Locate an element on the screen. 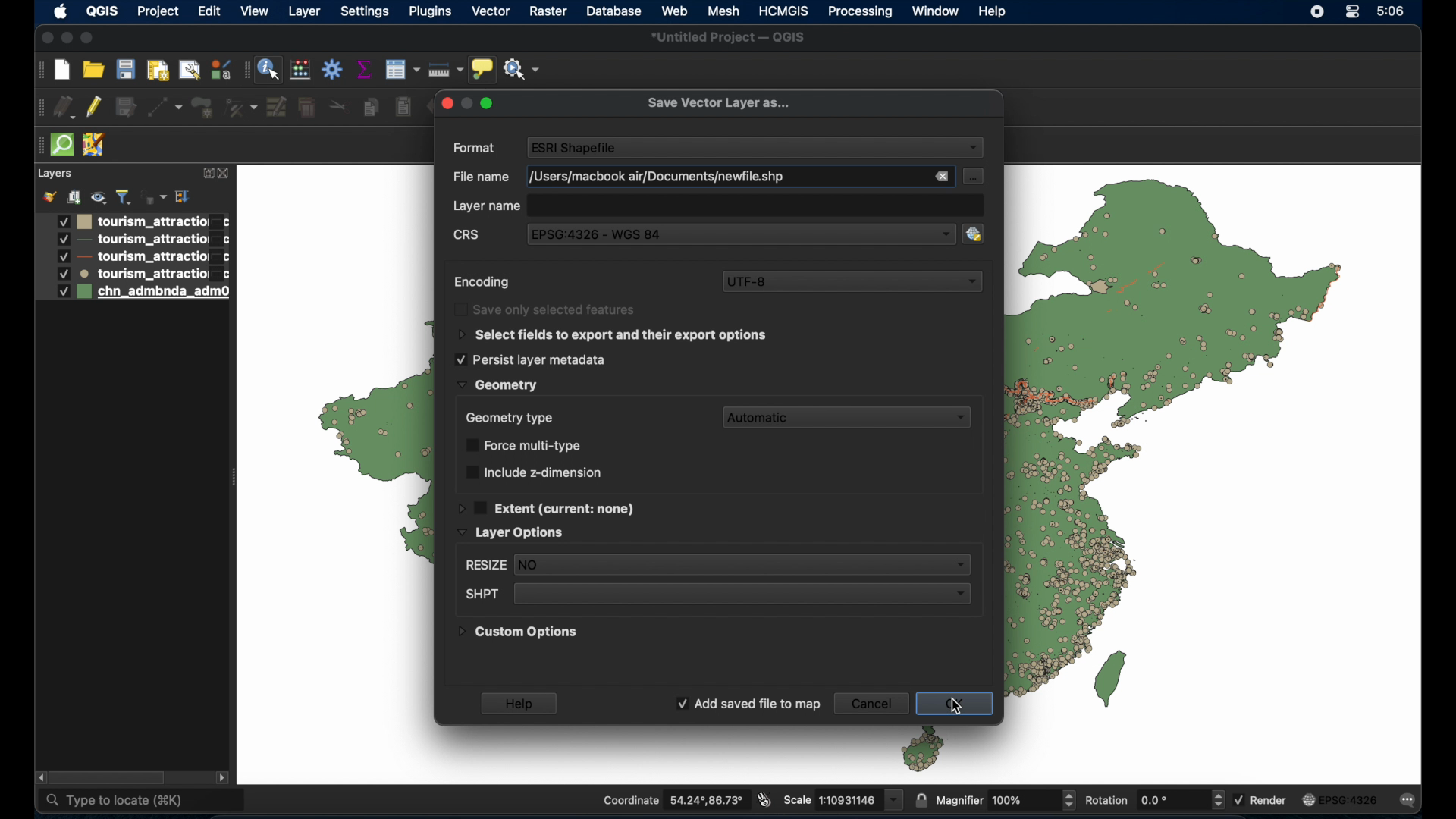 The width and height of the screenshot is (1456, 819). layer is located at coordinates (54, 174).